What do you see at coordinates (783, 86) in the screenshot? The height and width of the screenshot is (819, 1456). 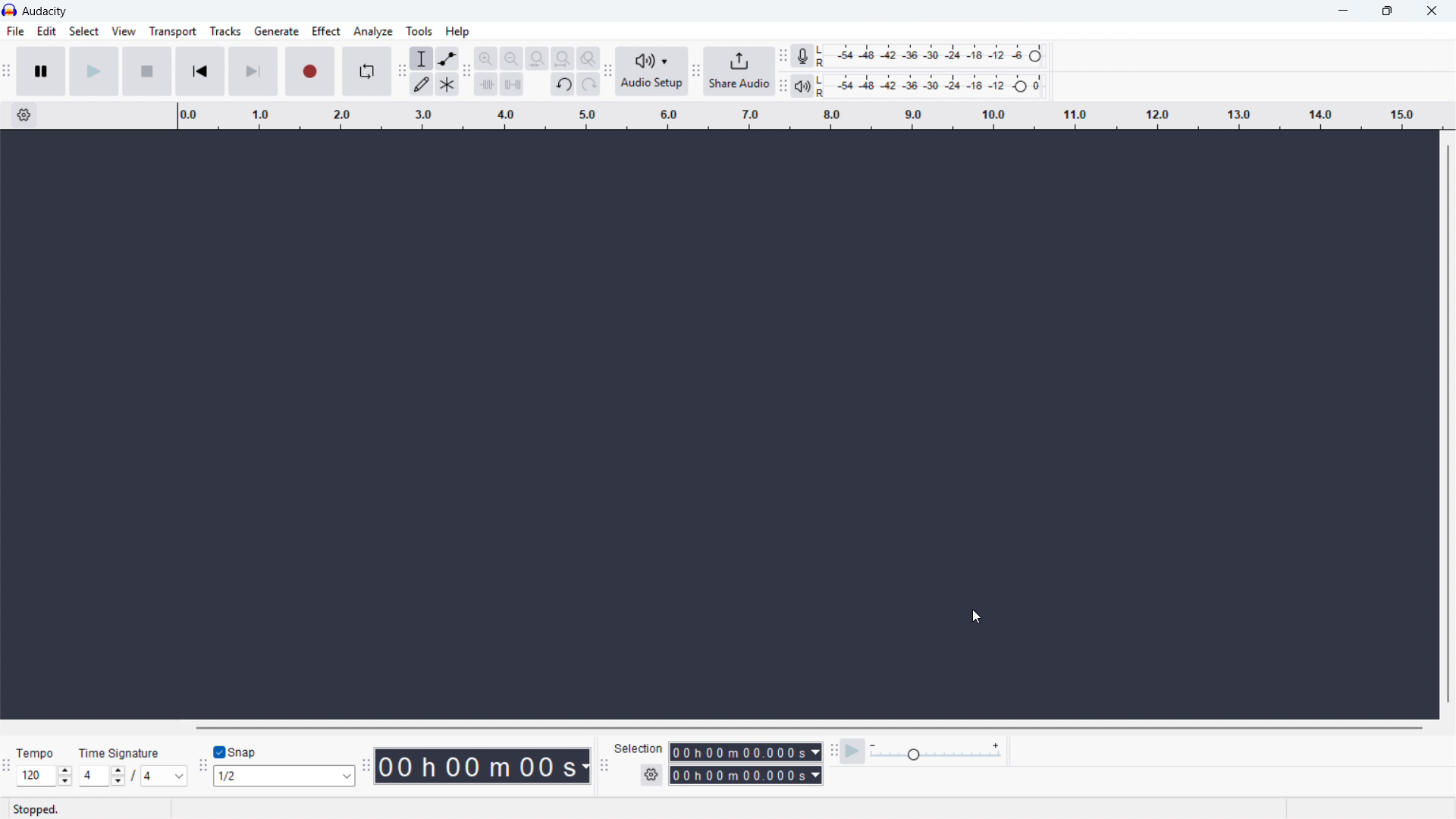 I see `playback meter toolbar` at bounding box center [783, 86].